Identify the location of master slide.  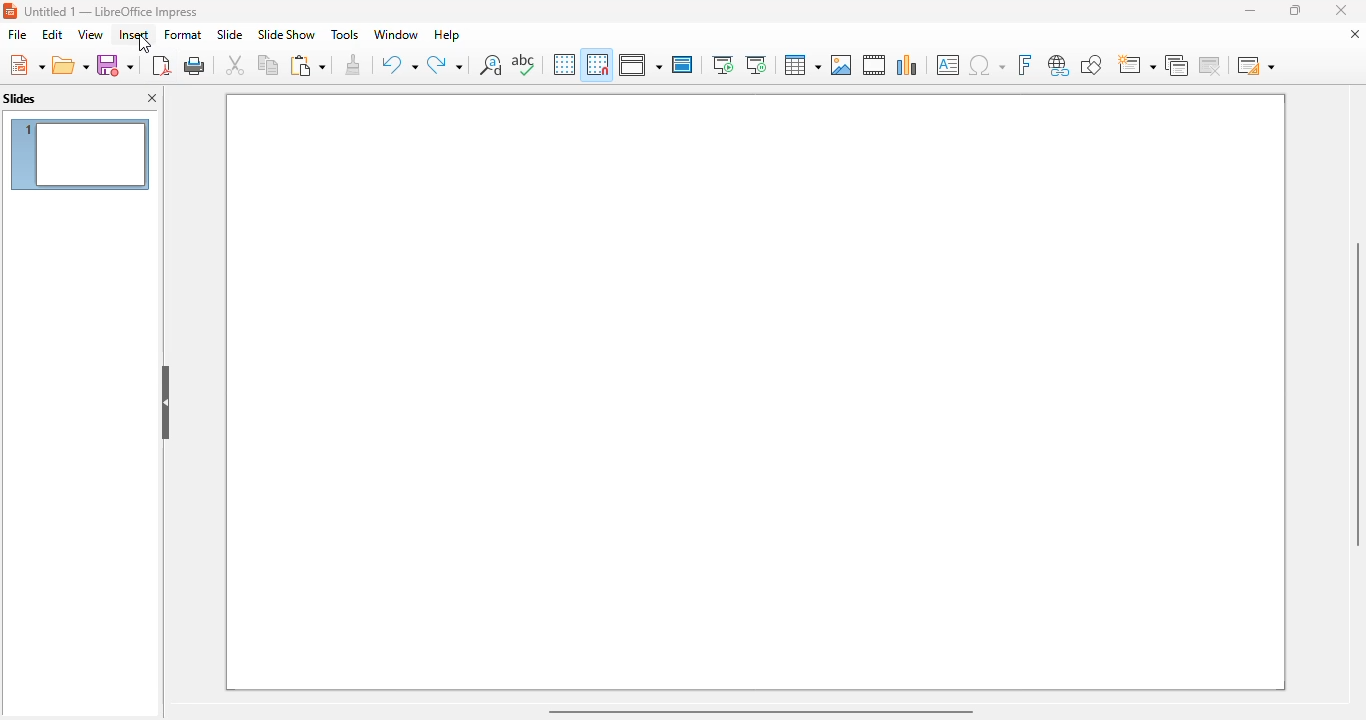
(682, 64).